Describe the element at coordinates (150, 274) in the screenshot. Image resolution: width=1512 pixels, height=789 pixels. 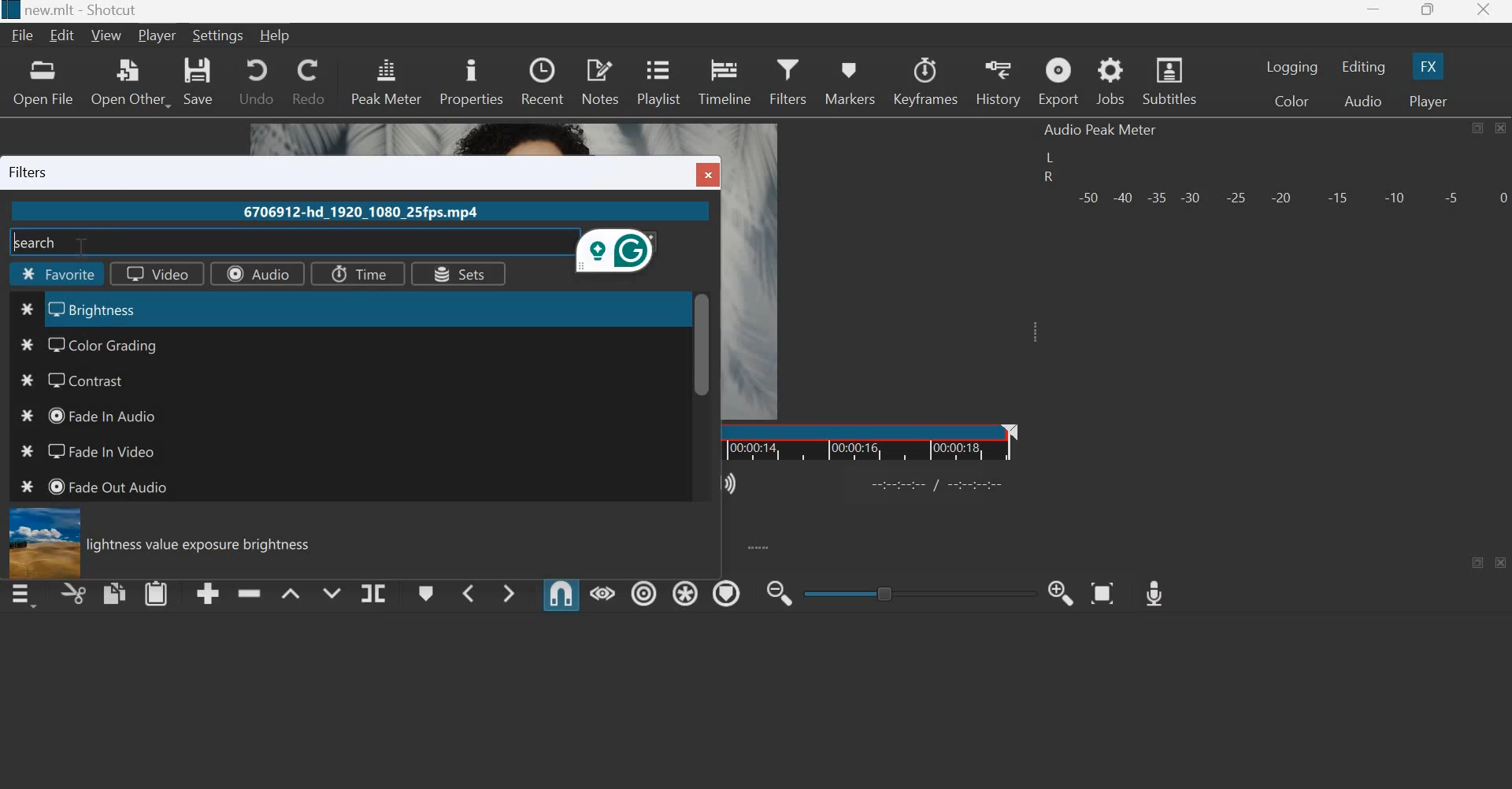
I see `Video` at that location.